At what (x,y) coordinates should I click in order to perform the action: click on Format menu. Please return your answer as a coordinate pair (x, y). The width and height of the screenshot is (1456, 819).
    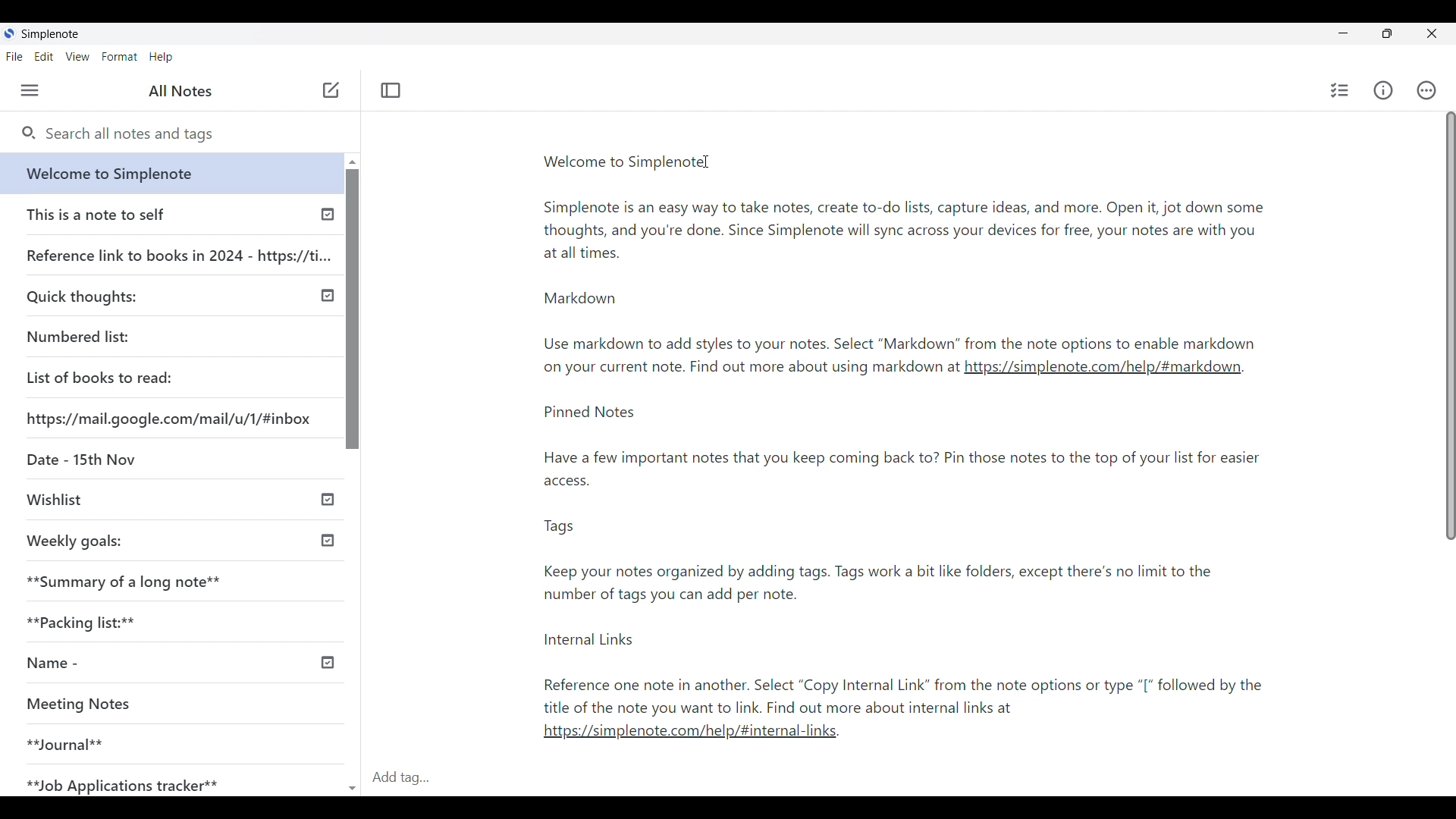
    Looking at the image, I should click on (119, 57).